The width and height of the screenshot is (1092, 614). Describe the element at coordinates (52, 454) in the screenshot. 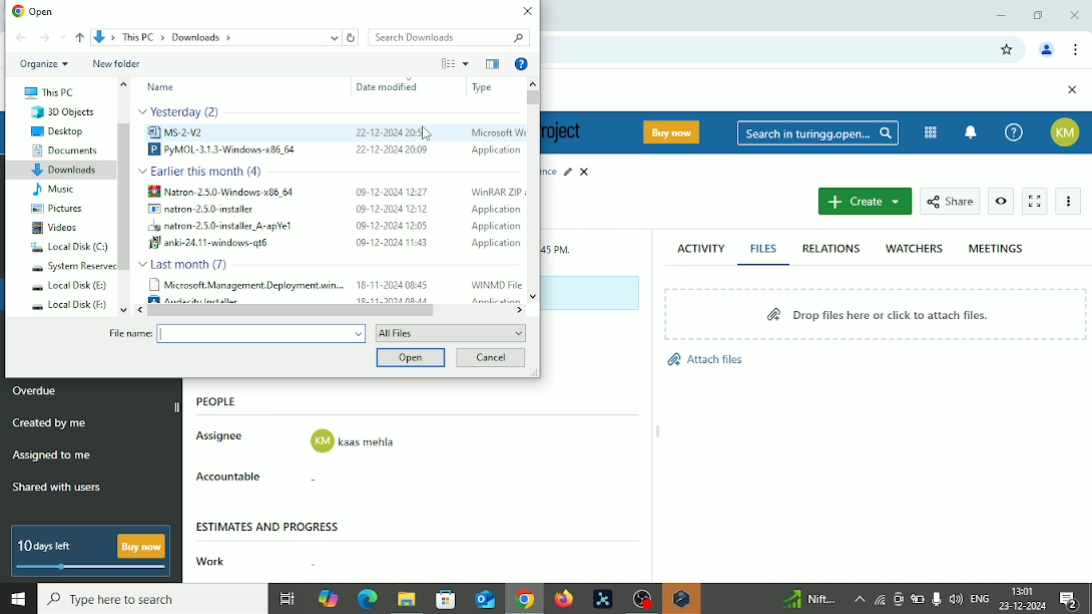

I see `Assigned to me` at that location.